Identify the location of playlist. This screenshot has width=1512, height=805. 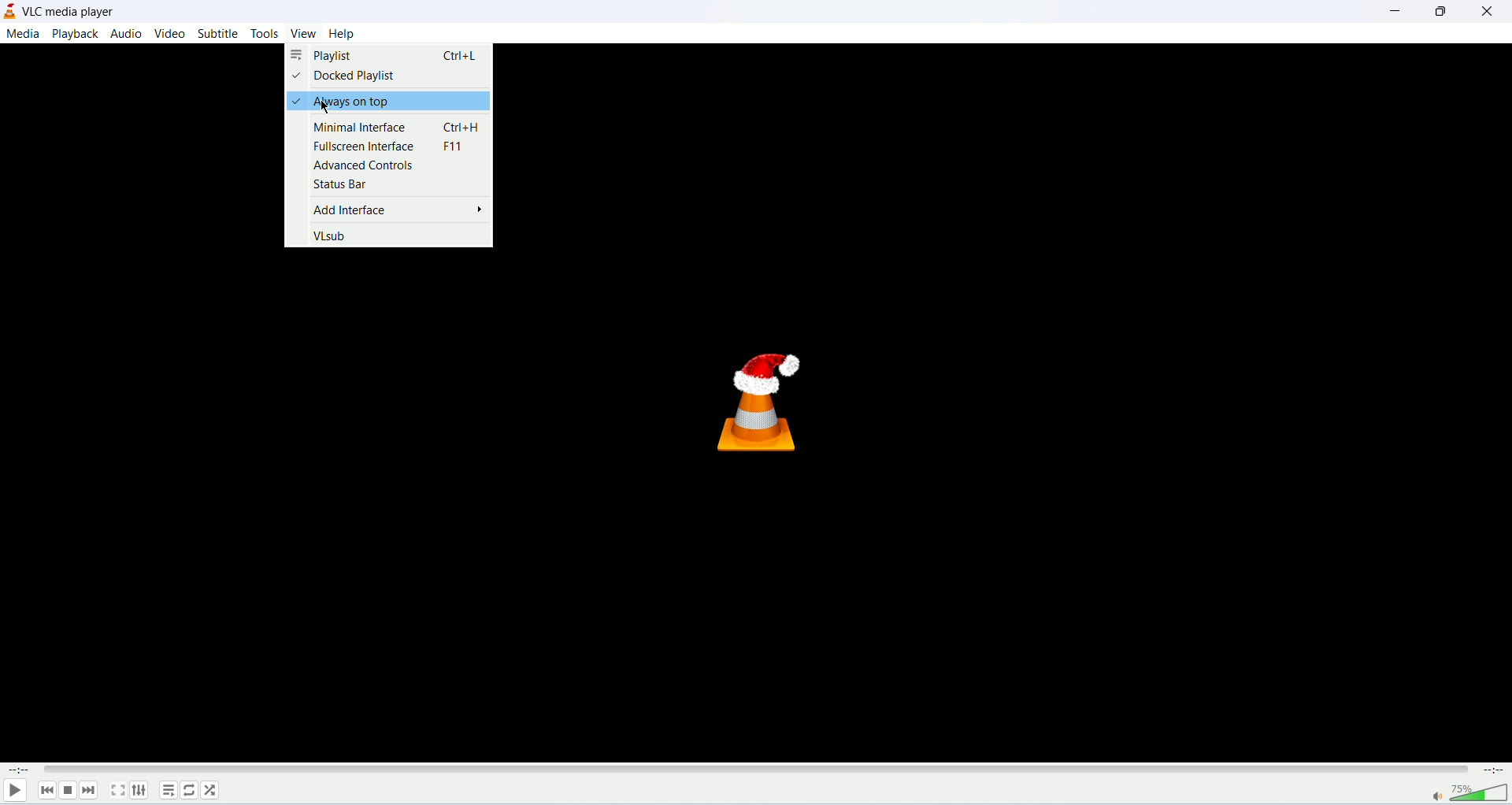
(389, 54).